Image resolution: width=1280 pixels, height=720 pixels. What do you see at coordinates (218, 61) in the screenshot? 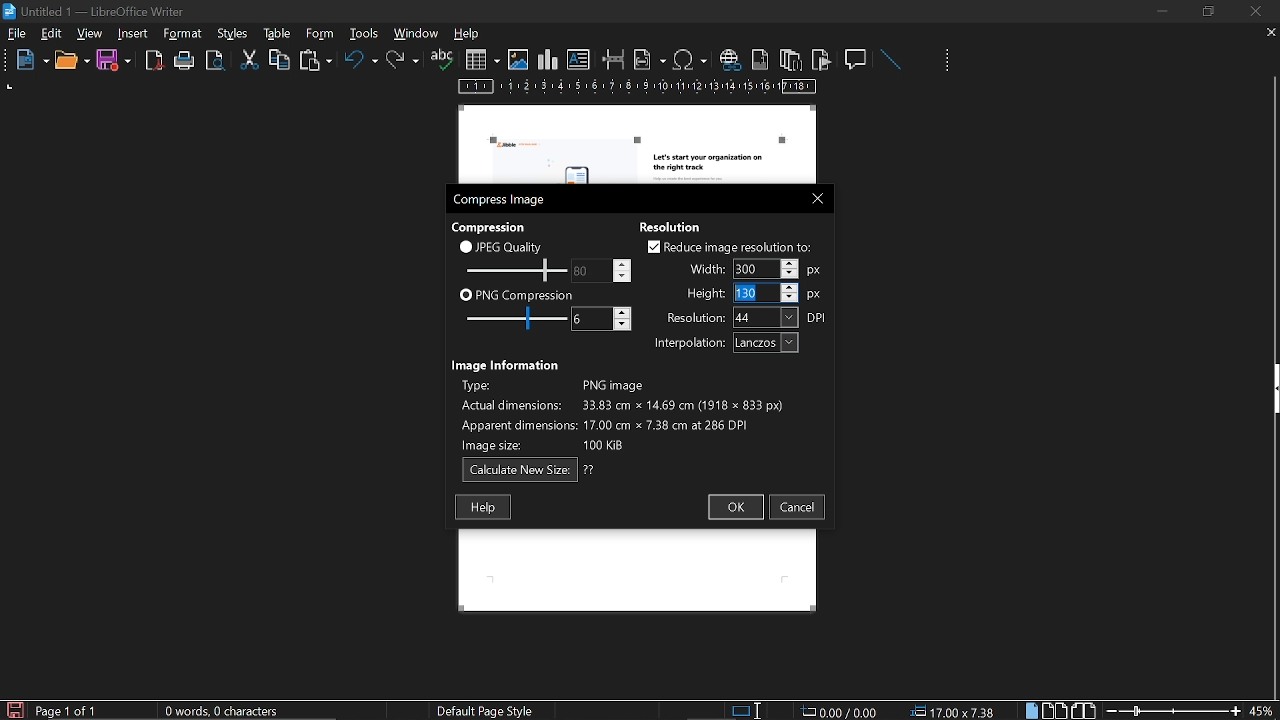
I see `toggle print preview` at bounding box center [218, 61].